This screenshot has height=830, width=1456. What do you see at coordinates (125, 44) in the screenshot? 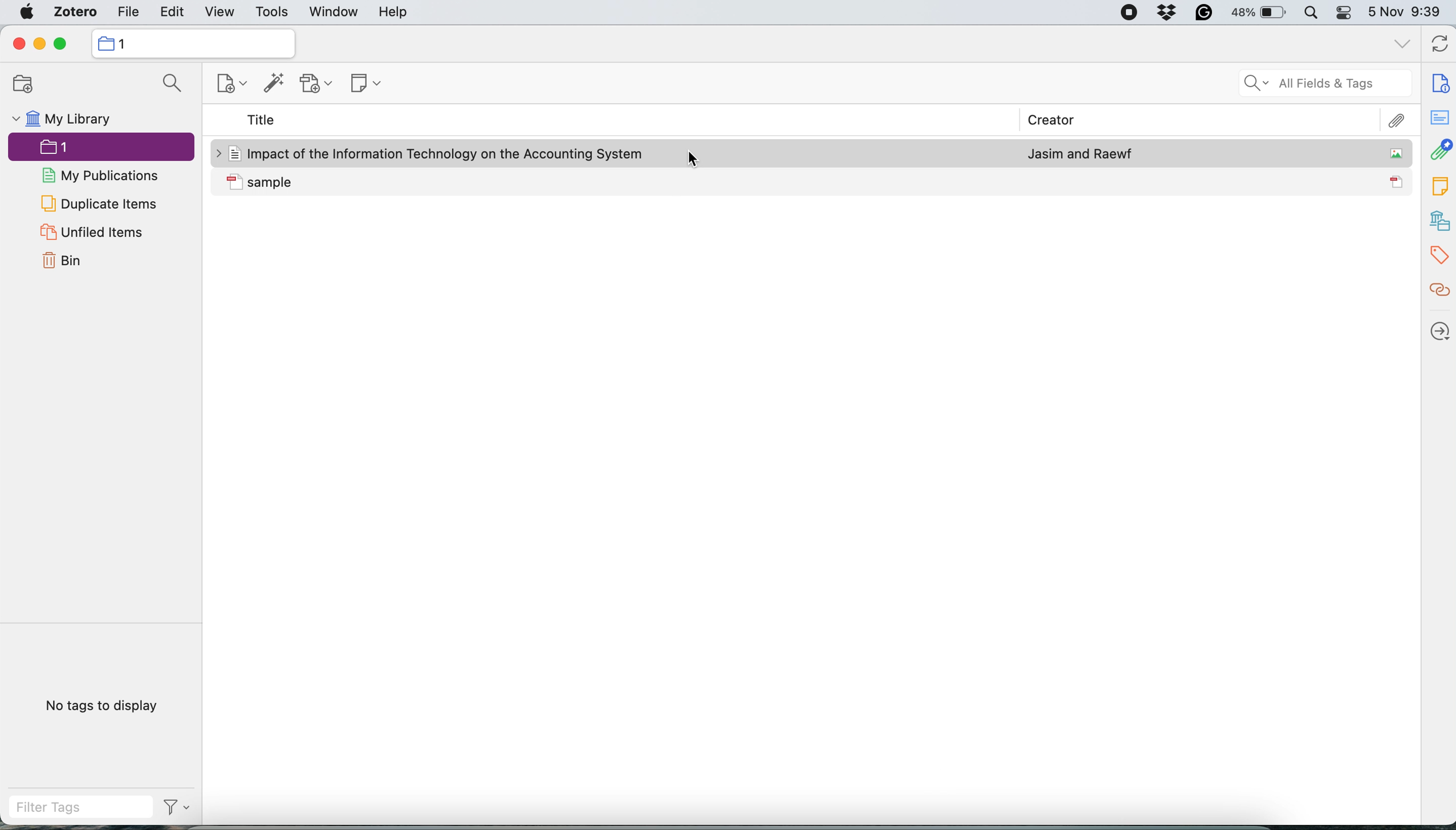
I see `1` at bounding box center [125, 44].